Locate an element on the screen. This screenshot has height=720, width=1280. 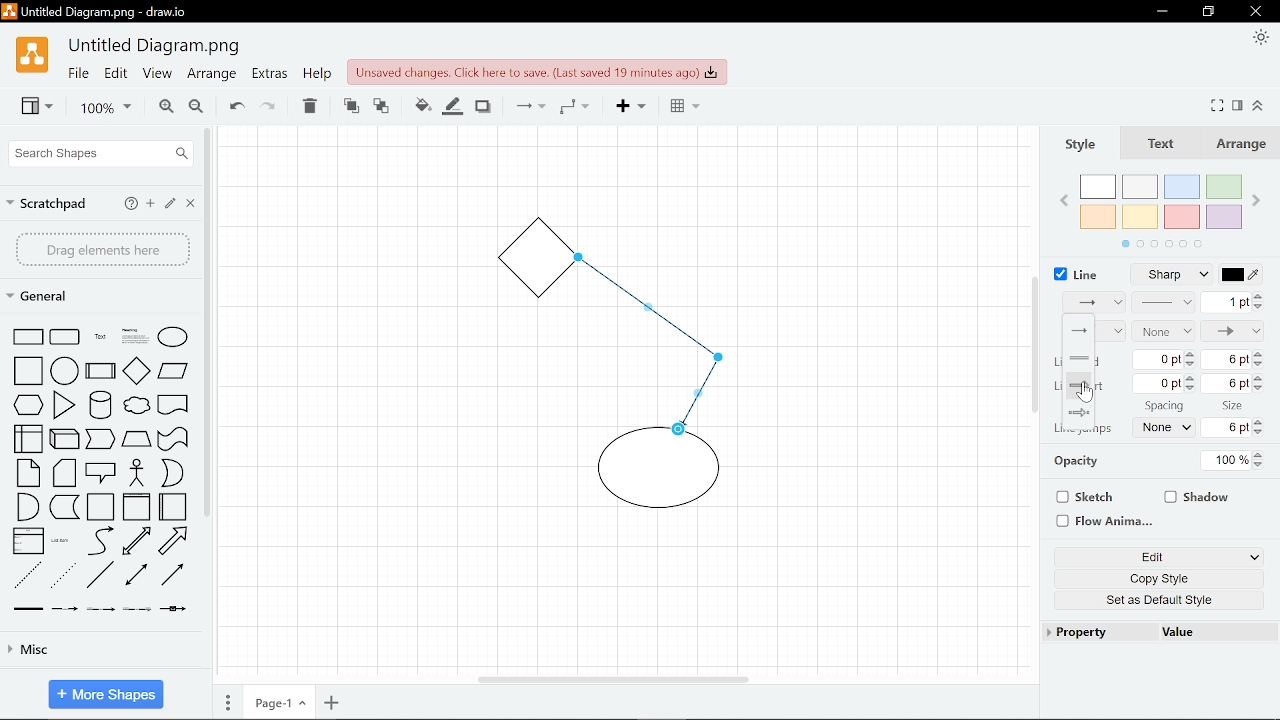
shape is located at coordinates (66, 370).